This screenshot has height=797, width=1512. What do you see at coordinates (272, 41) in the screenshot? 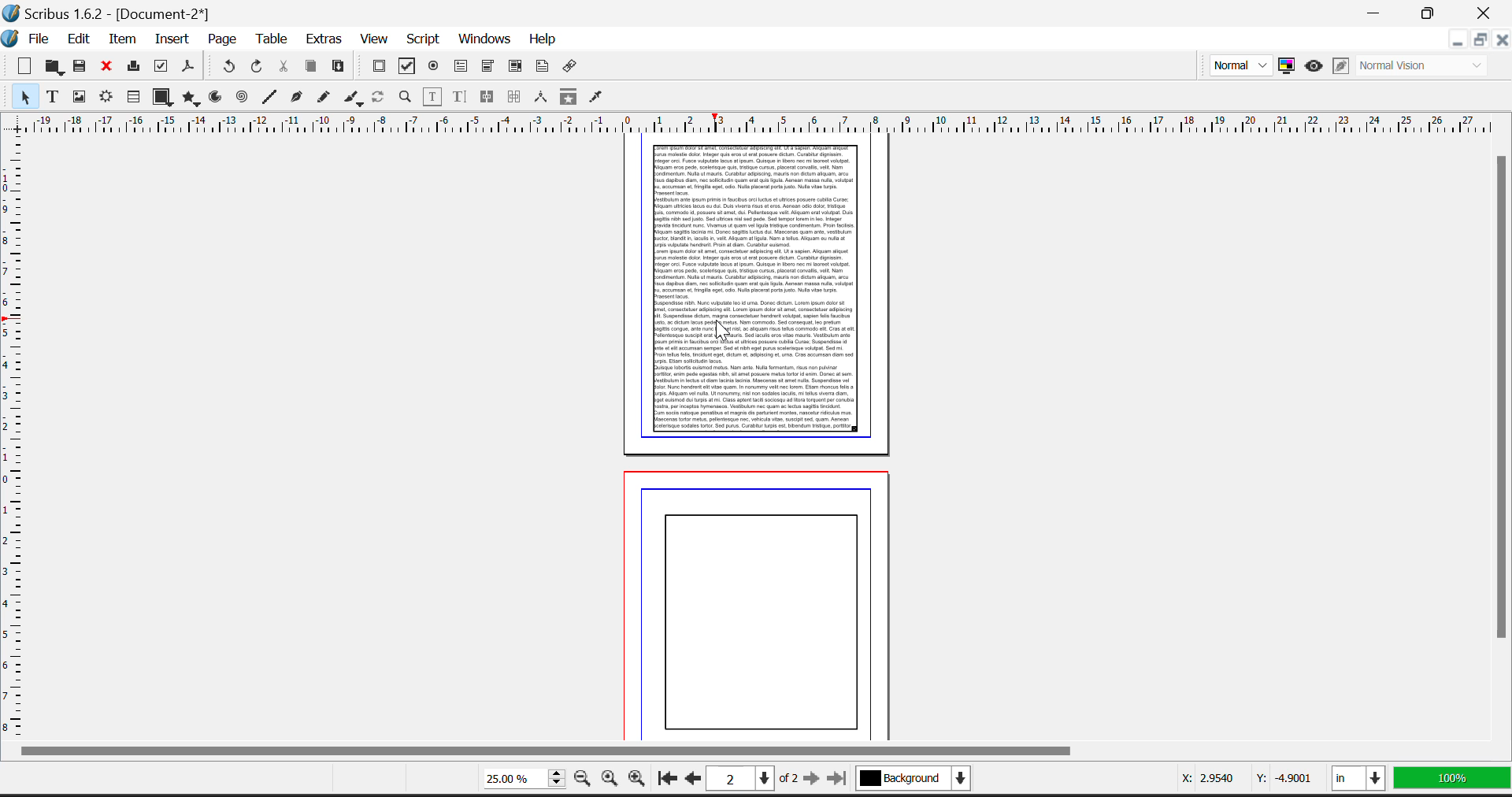
I see `Table` at bounding box center [272, 41].